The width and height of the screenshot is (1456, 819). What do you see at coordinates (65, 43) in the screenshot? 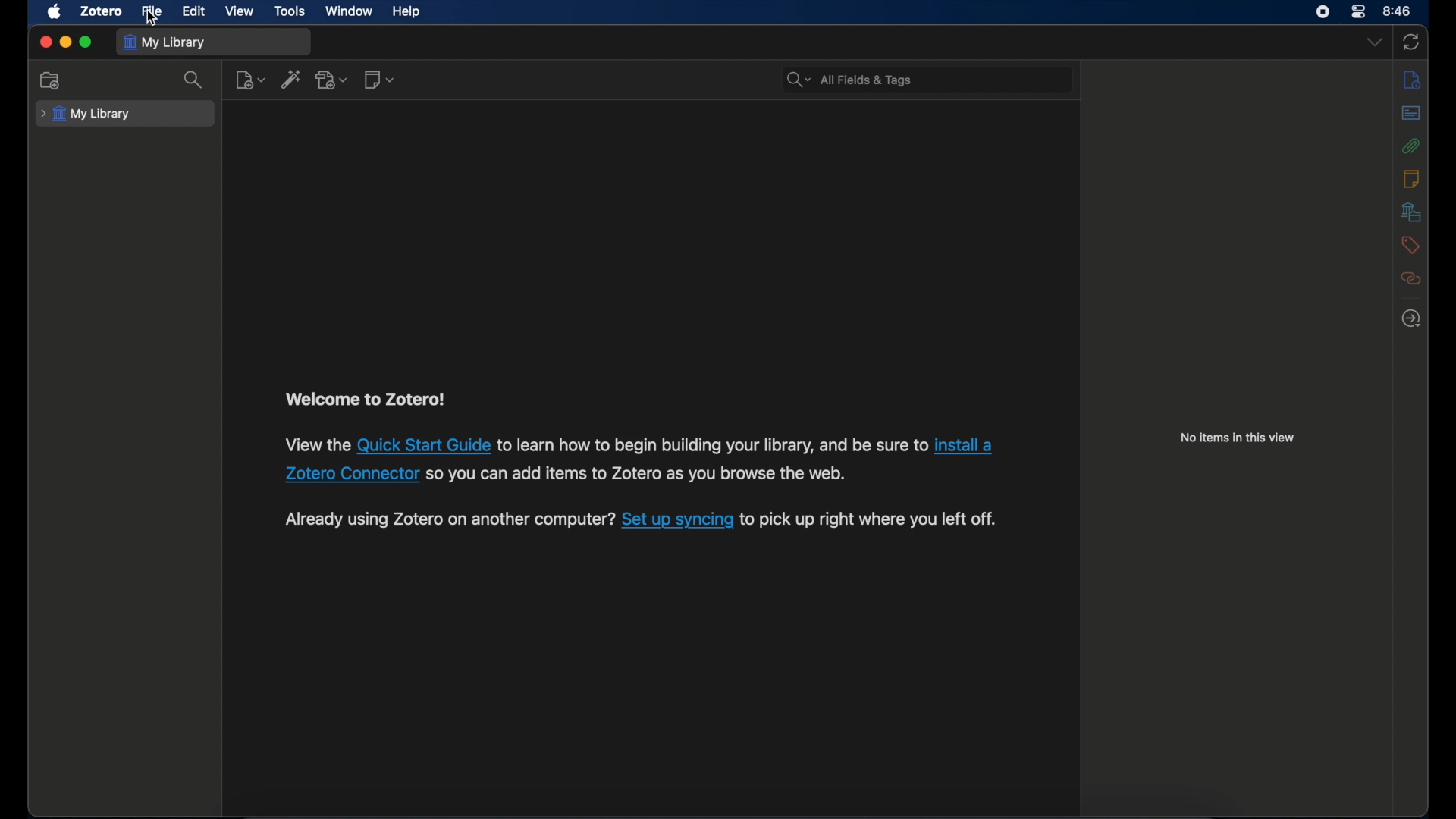
I see `minimize` at bounding box center [65, 43].